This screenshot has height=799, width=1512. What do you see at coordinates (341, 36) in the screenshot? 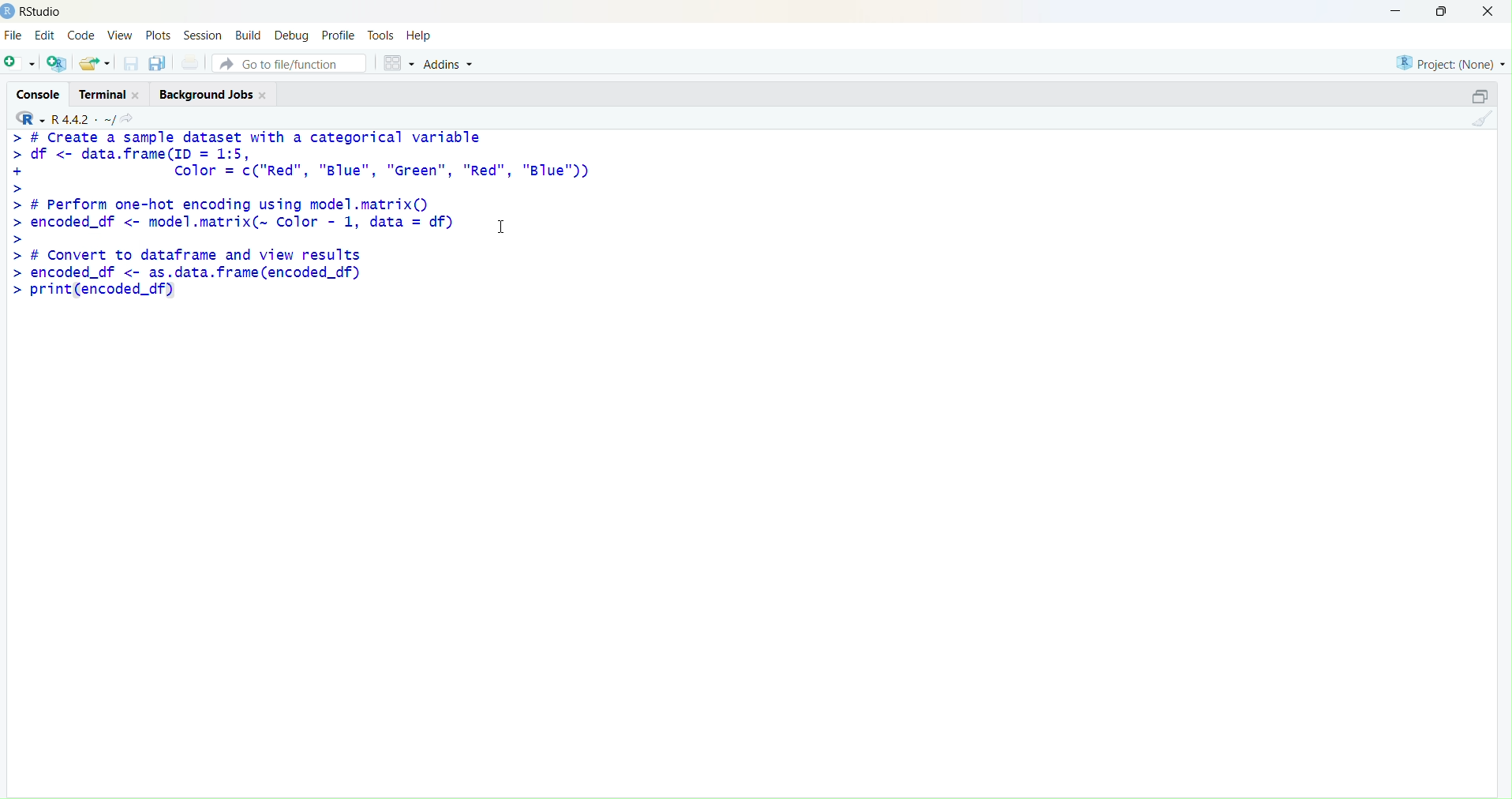
I see `profile` at bounding box center [341, 36].